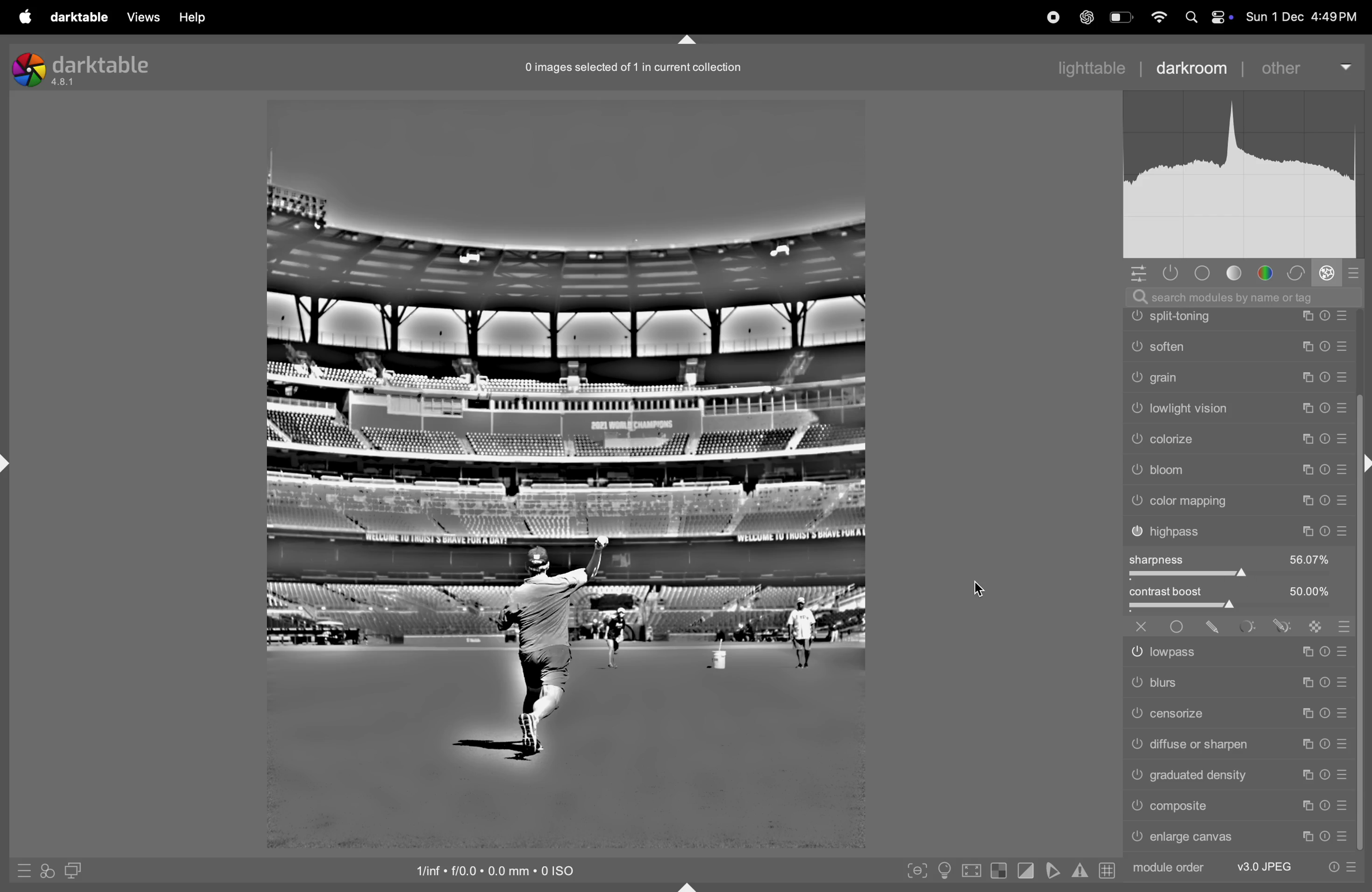 The image size is (1372, 892). I want to click on correct, so click(1297, 272).